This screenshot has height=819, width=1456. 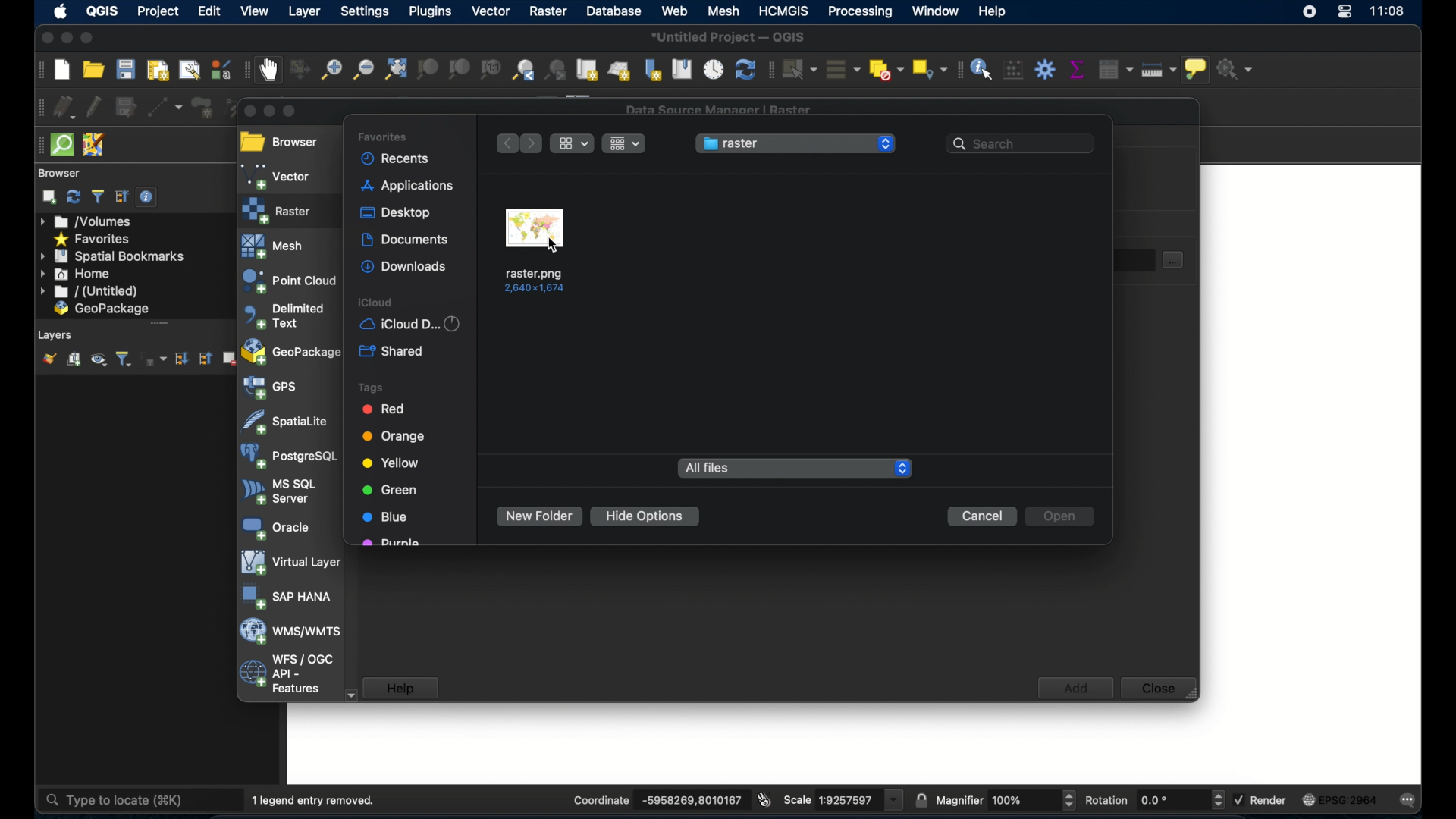 What do you see at coordinates (62, 145) in the screenshot?
I see `quicksom` at bounding box center [62, 145].